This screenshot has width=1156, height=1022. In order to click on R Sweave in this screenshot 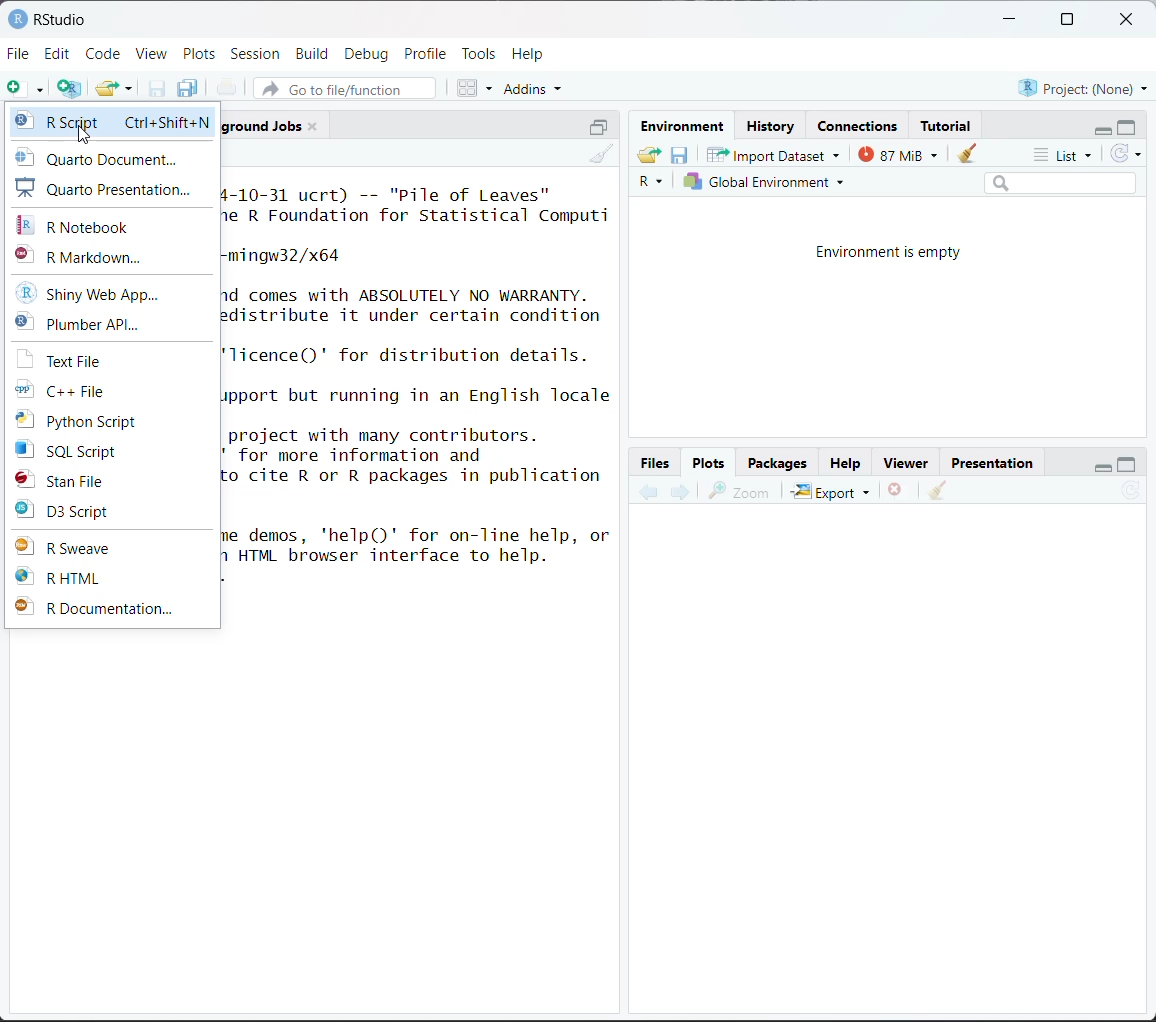, I will do `click(66, 546)`.